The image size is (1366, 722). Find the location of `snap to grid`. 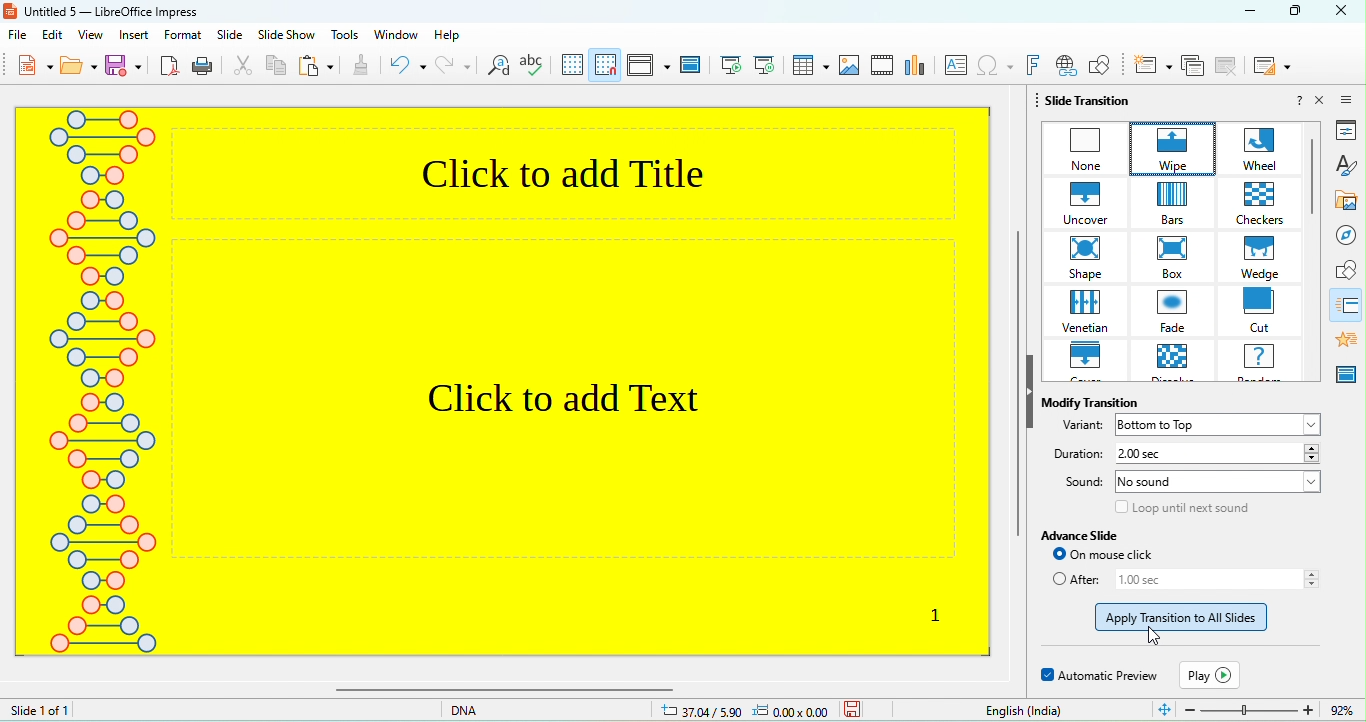

snap to grid is located at coordinates (605, 68).